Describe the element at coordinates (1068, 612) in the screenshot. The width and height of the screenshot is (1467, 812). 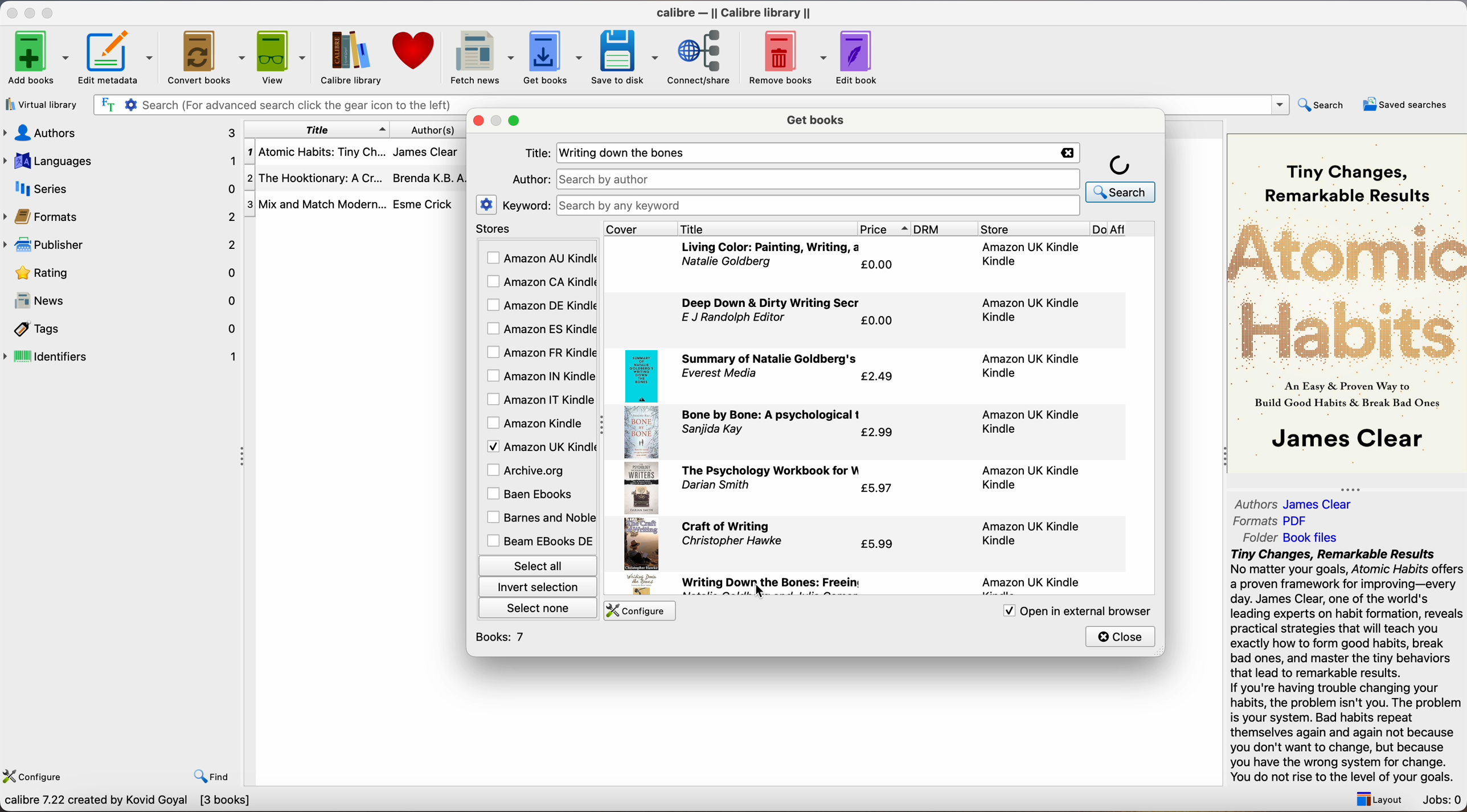
I see `open in external browser` at that location.